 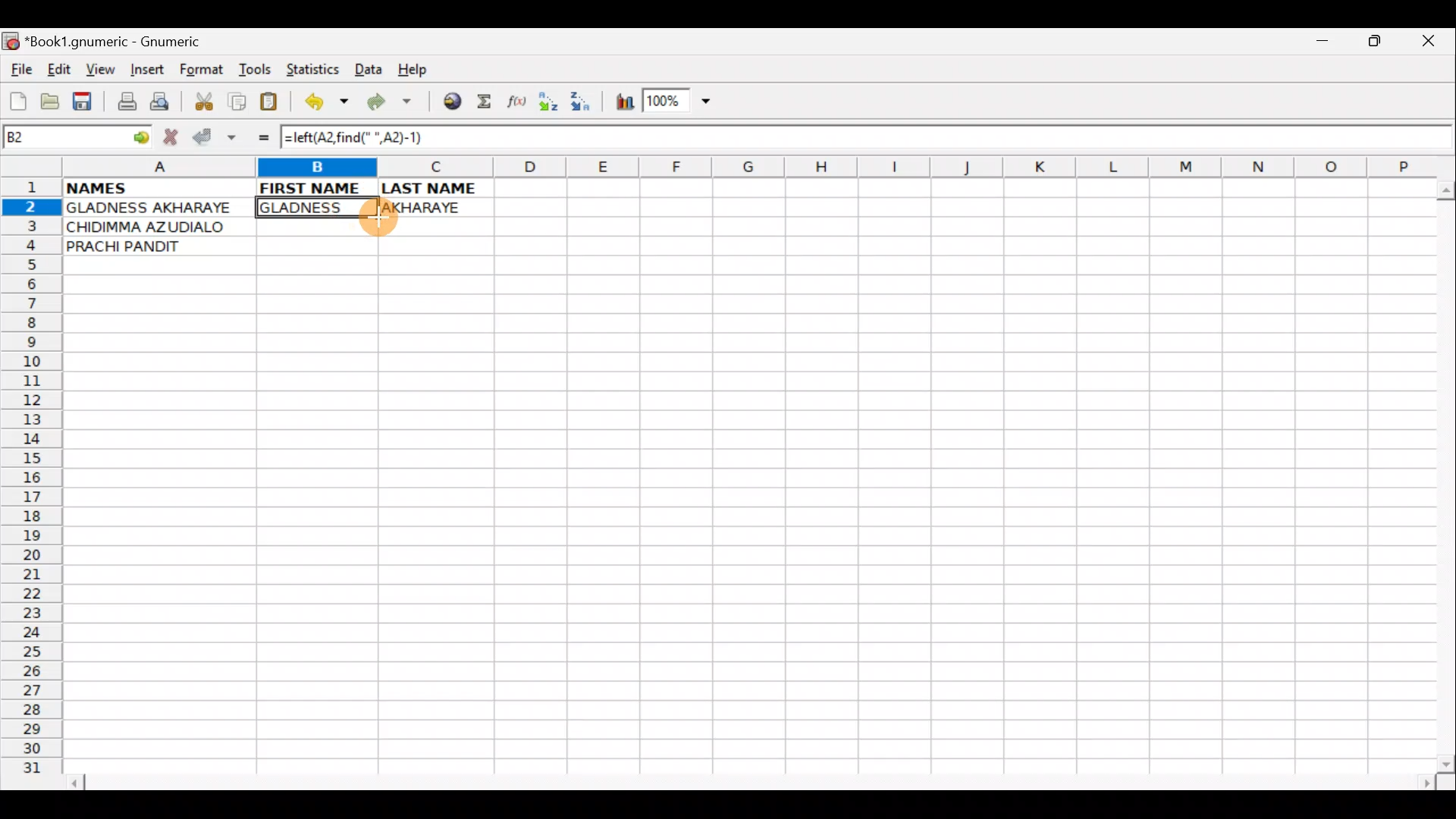 What do you see at coordinates (553, 105) in the screenshot?
I see `Sort Ascending order` at bounding box center [553, 105].